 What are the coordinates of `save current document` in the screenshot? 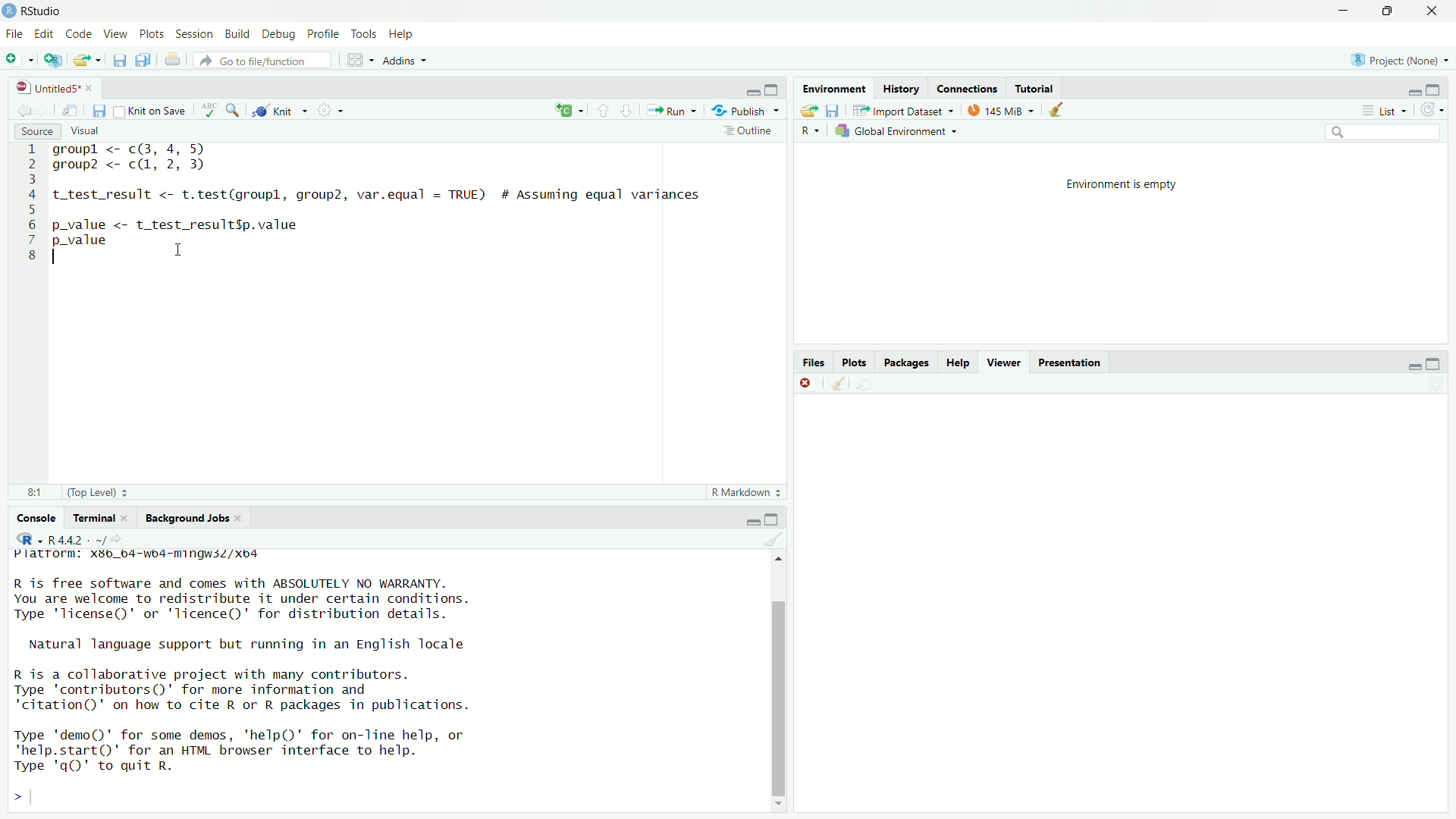 It's located at (120, 60).